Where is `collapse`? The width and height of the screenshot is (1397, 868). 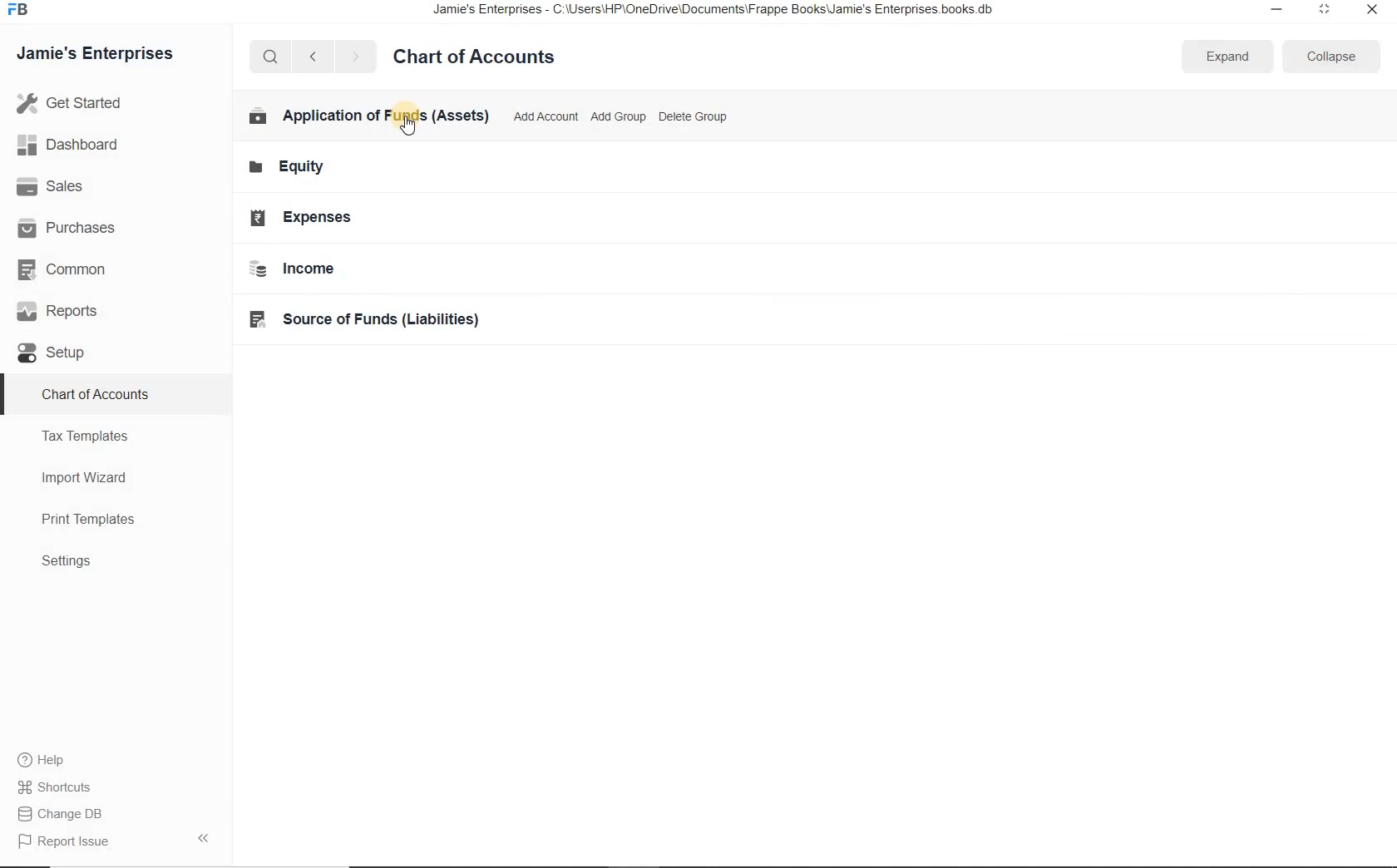
collapse is located at coordinates (1327, 57).